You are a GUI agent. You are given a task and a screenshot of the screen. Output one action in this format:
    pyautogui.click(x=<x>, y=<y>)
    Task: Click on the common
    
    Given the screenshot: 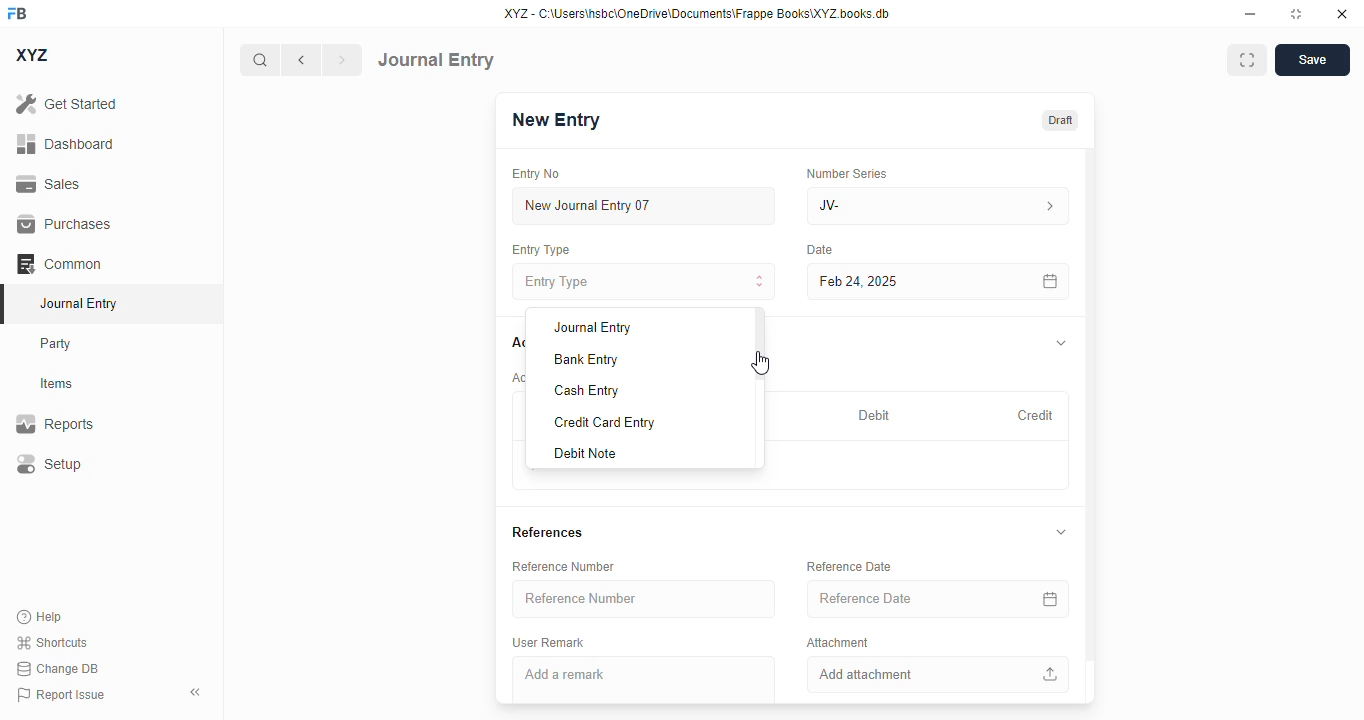 What is the action you would take?
    pyautogui.click(x=59, y=263)
    